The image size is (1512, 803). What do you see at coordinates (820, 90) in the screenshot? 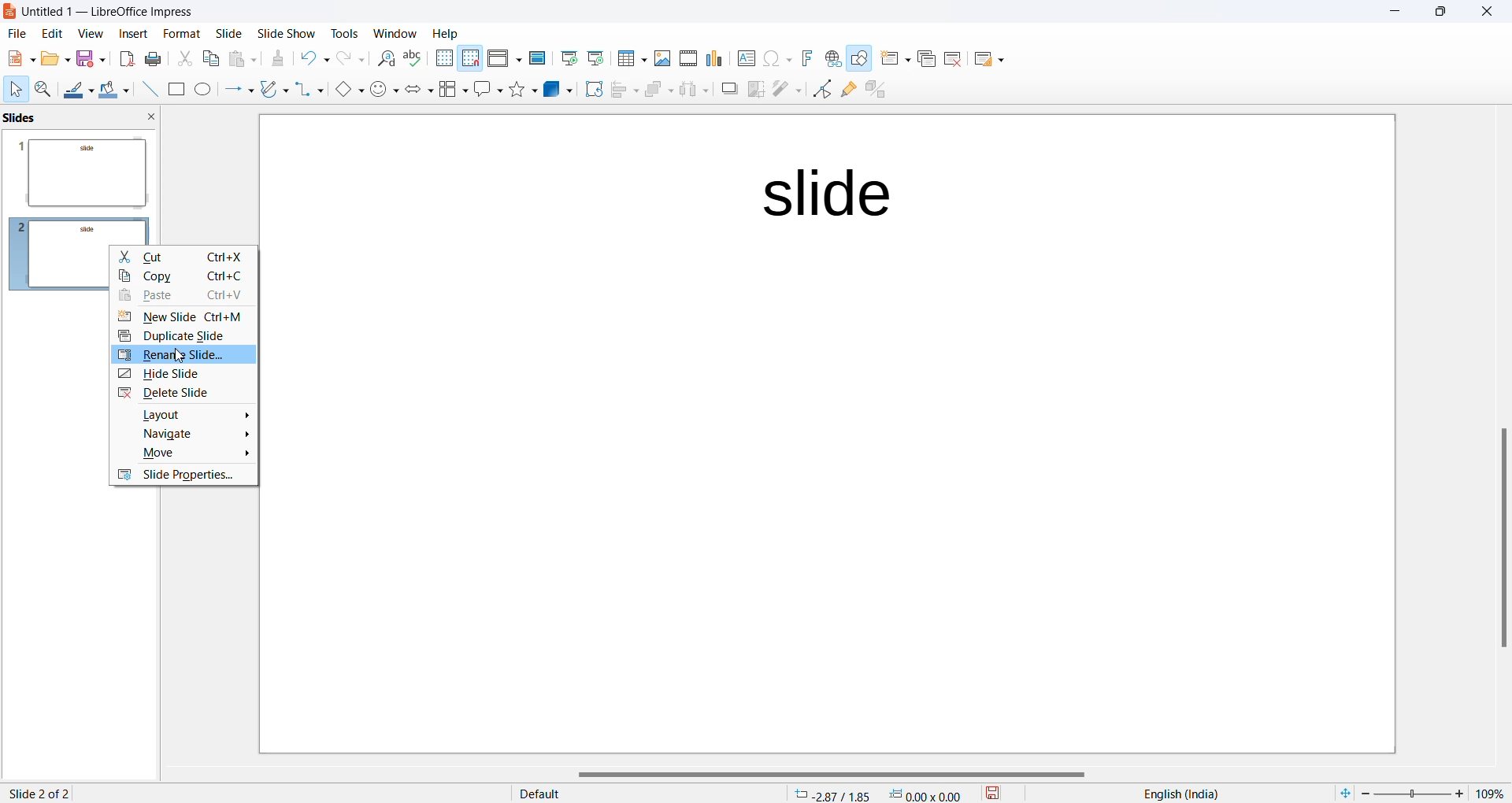
I see `Toggle end point edit mode` at bounding box center [820, 90].